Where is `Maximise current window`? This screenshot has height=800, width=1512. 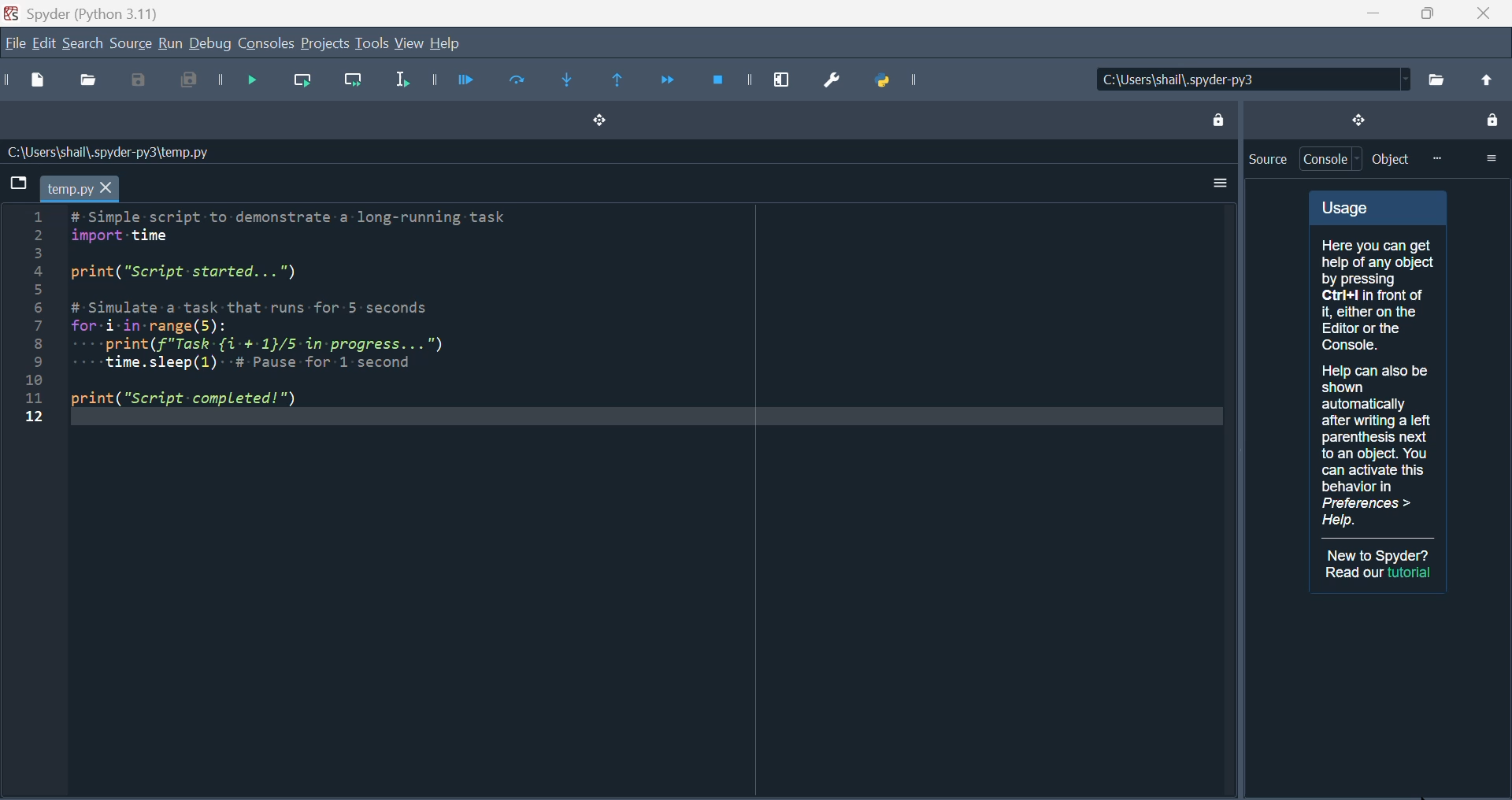
Maximise current window is located at coordinates (782, 76).